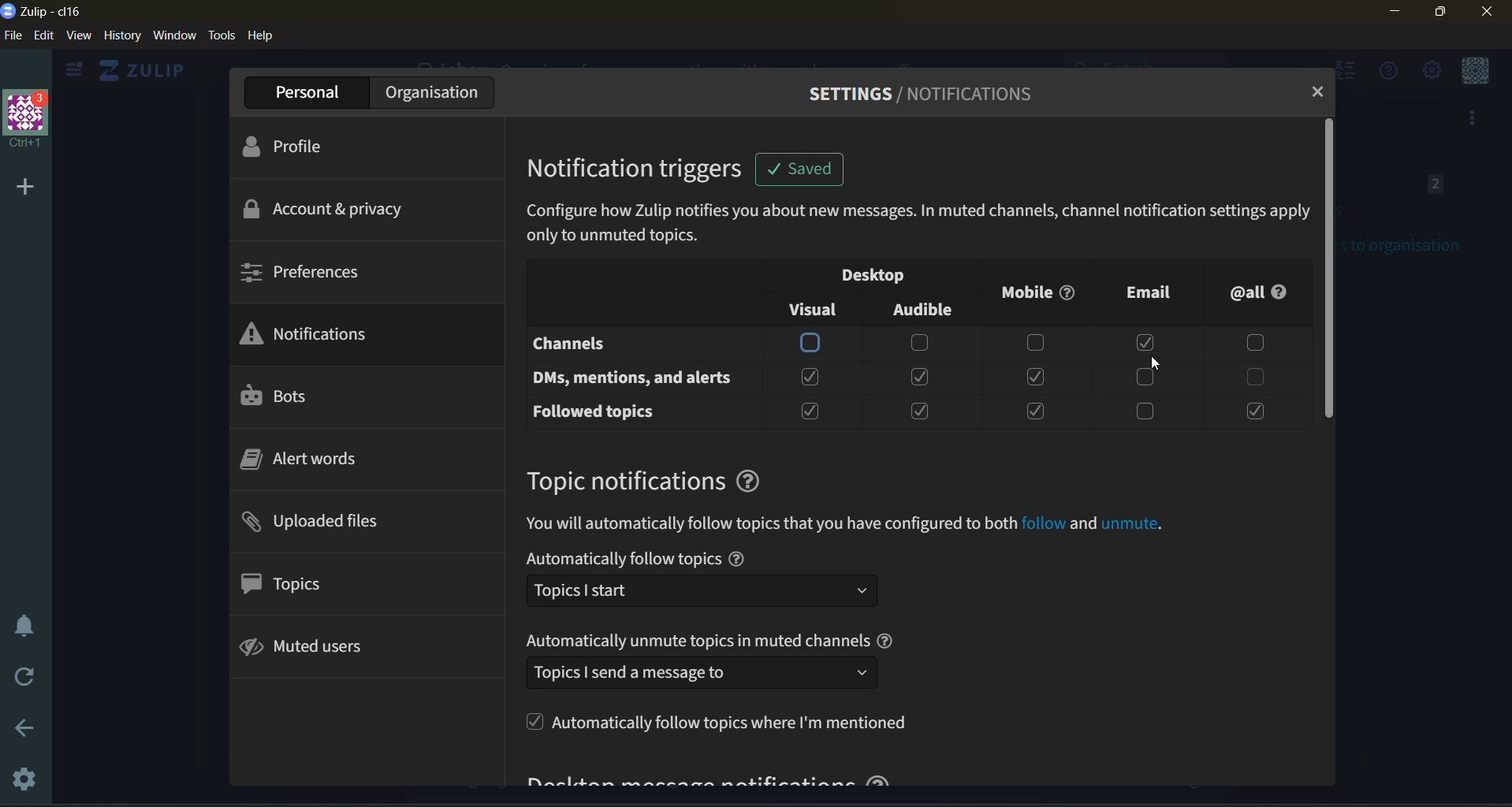 The image size is (1512, 807). Describe the element at coordinates (309, 460) in the screenshot. I see `alert words` at that location.